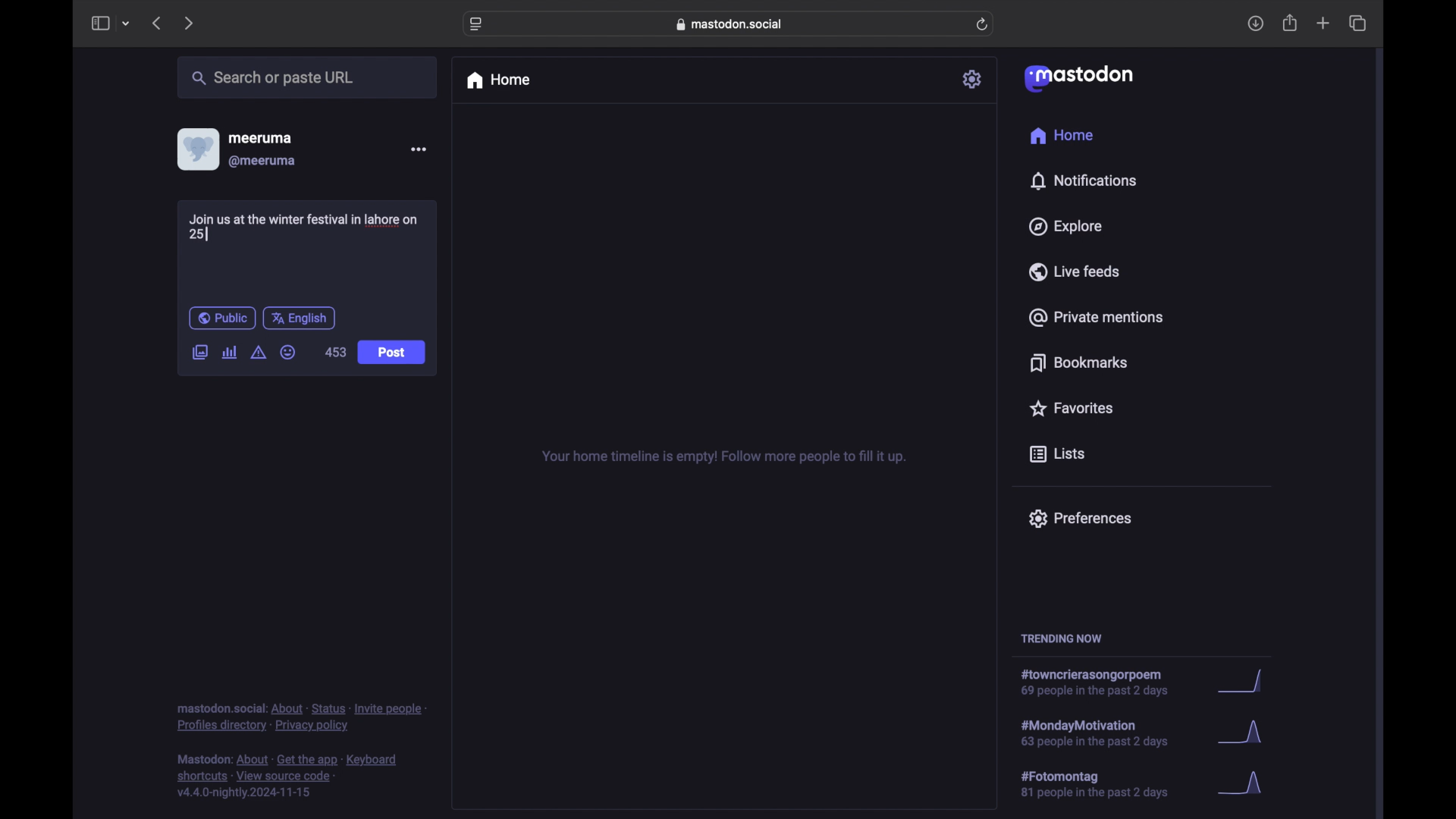  Describe the element at coordinates (984, 25) in the screenshot. I see `refresh` at that location.